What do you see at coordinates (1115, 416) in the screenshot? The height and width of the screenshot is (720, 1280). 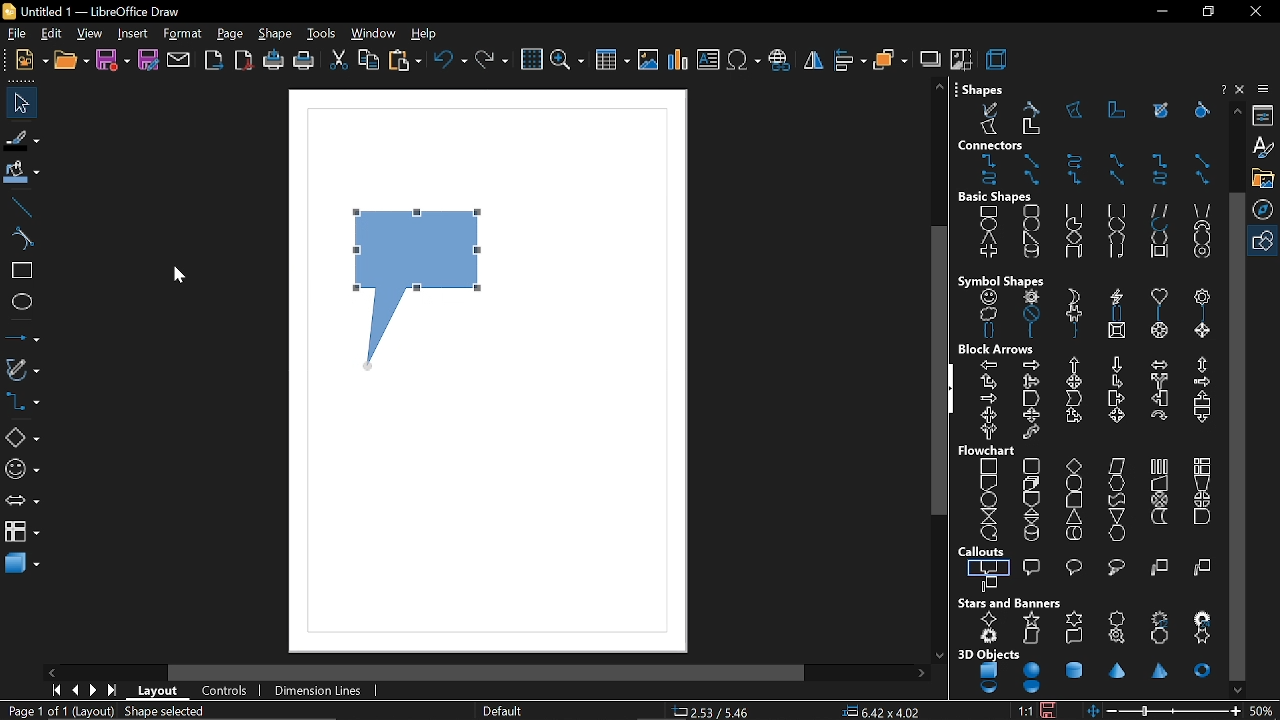 I see `4 way arrow callout` at bounding box center [1115, 416].